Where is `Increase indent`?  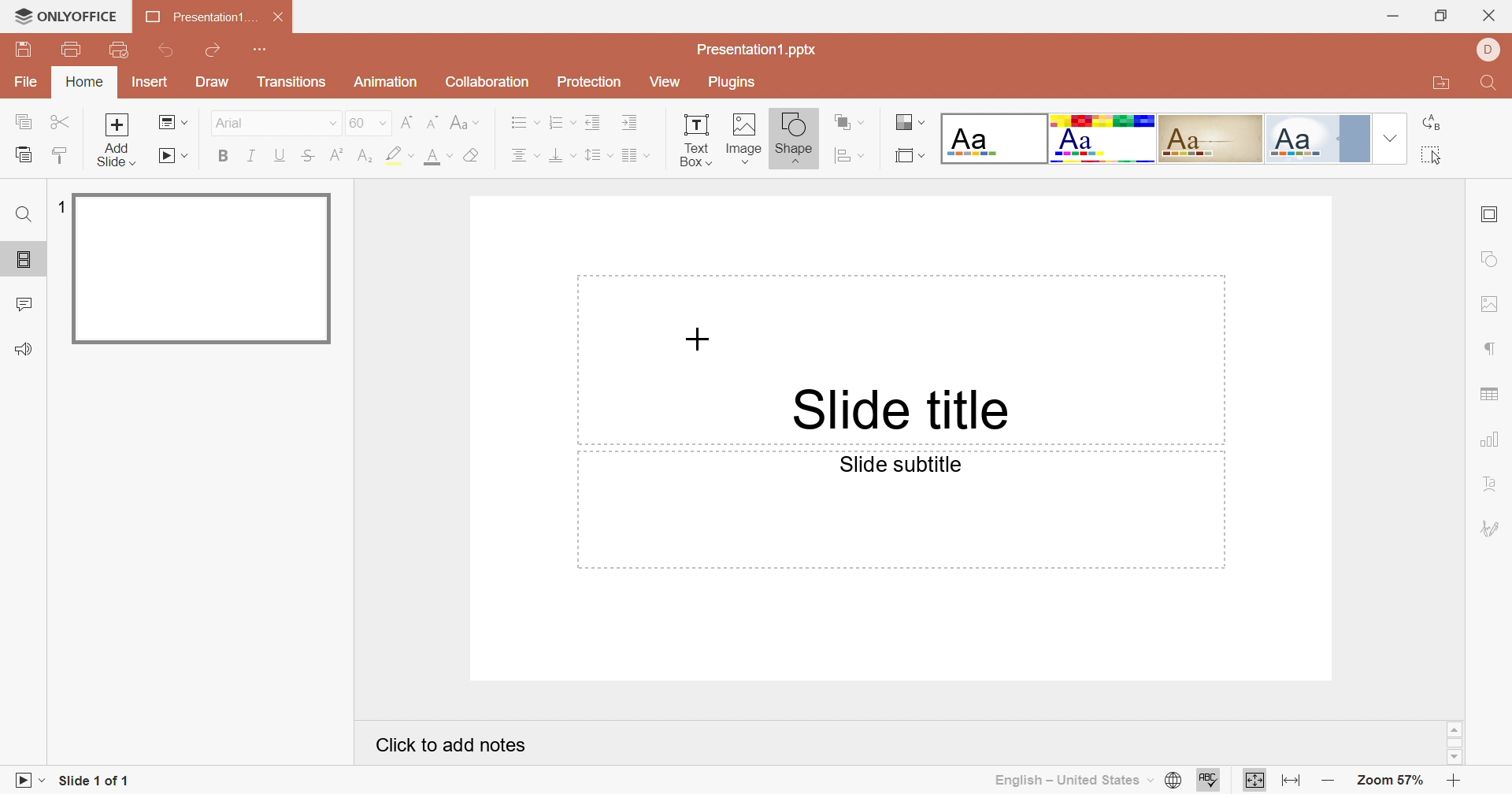 Increase indent is located at coordinates (631, 121).